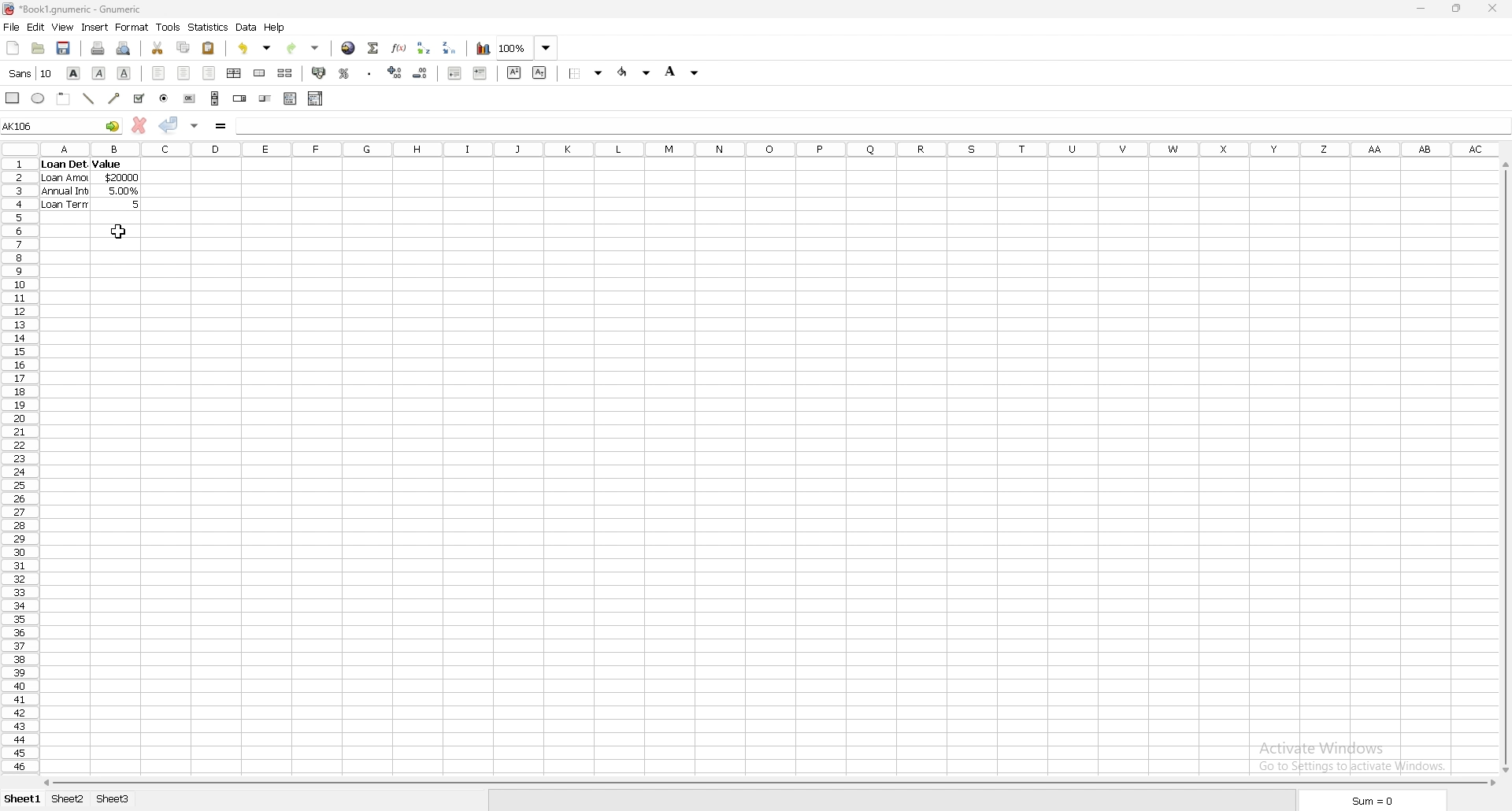 This screenshot has height=811, width=1512. Describe the element at coordinates (188, 98) in the screenshot. I see `button` at that location.